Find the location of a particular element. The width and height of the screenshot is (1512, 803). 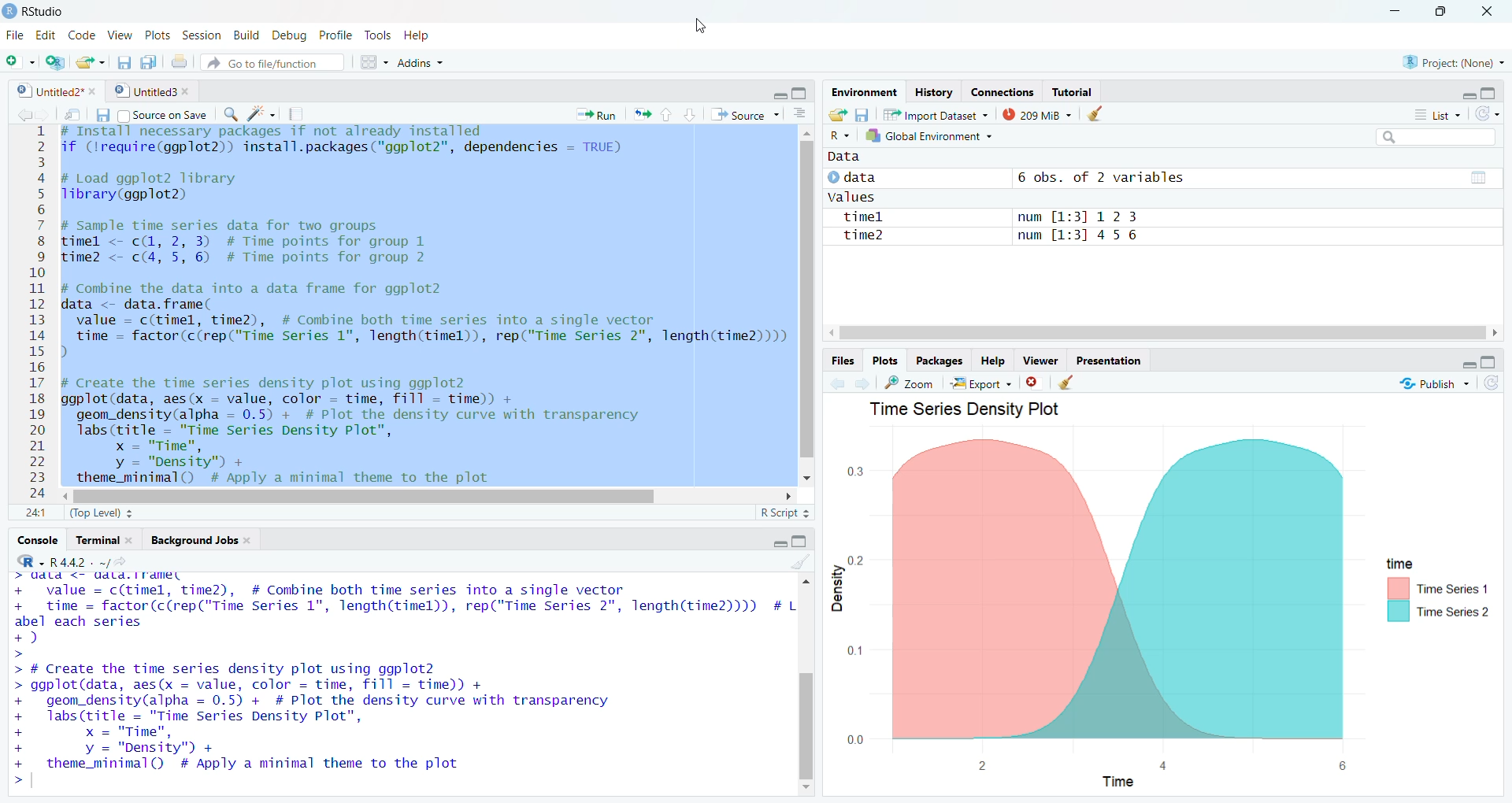

Profile is located at coordinates (334, 35).